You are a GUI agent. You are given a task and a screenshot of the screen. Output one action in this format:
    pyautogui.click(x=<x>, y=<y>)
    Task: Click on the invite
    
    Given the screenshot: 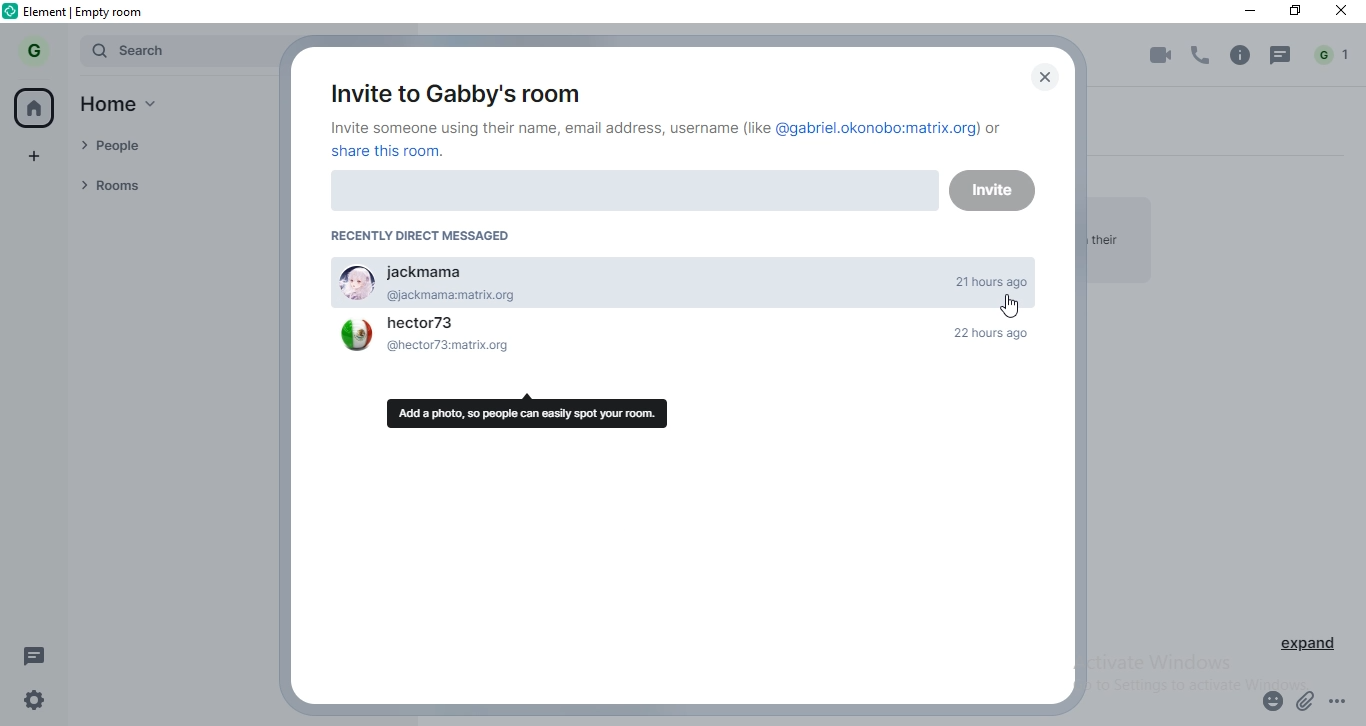 What is the action you would take?
    pyautogui.click(x=993, y=195)
    